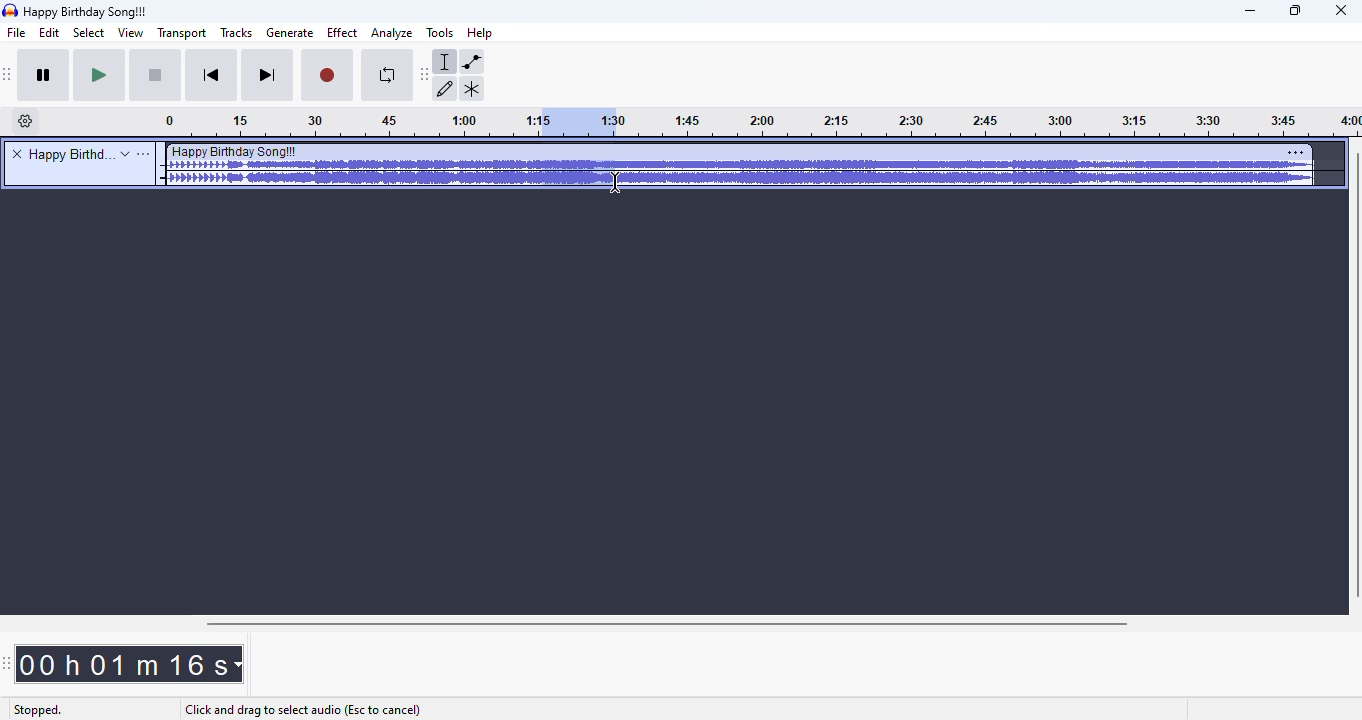  Describe the element at coordinates (89, 33) in the screenshot. I see `select` at that location.